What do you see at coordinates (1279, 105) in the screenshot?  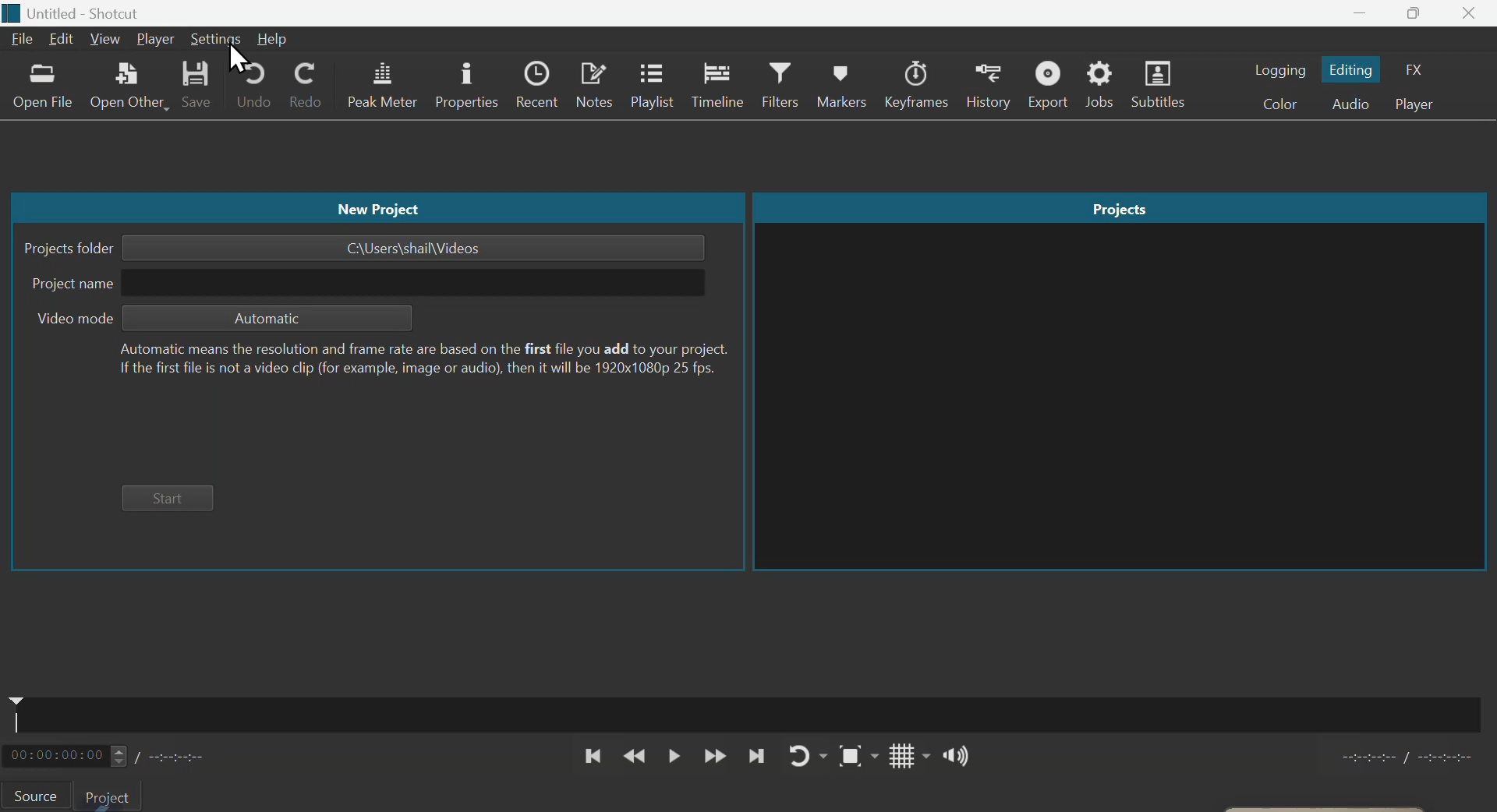 I see `Colour` at bounding box center [1279, 105].